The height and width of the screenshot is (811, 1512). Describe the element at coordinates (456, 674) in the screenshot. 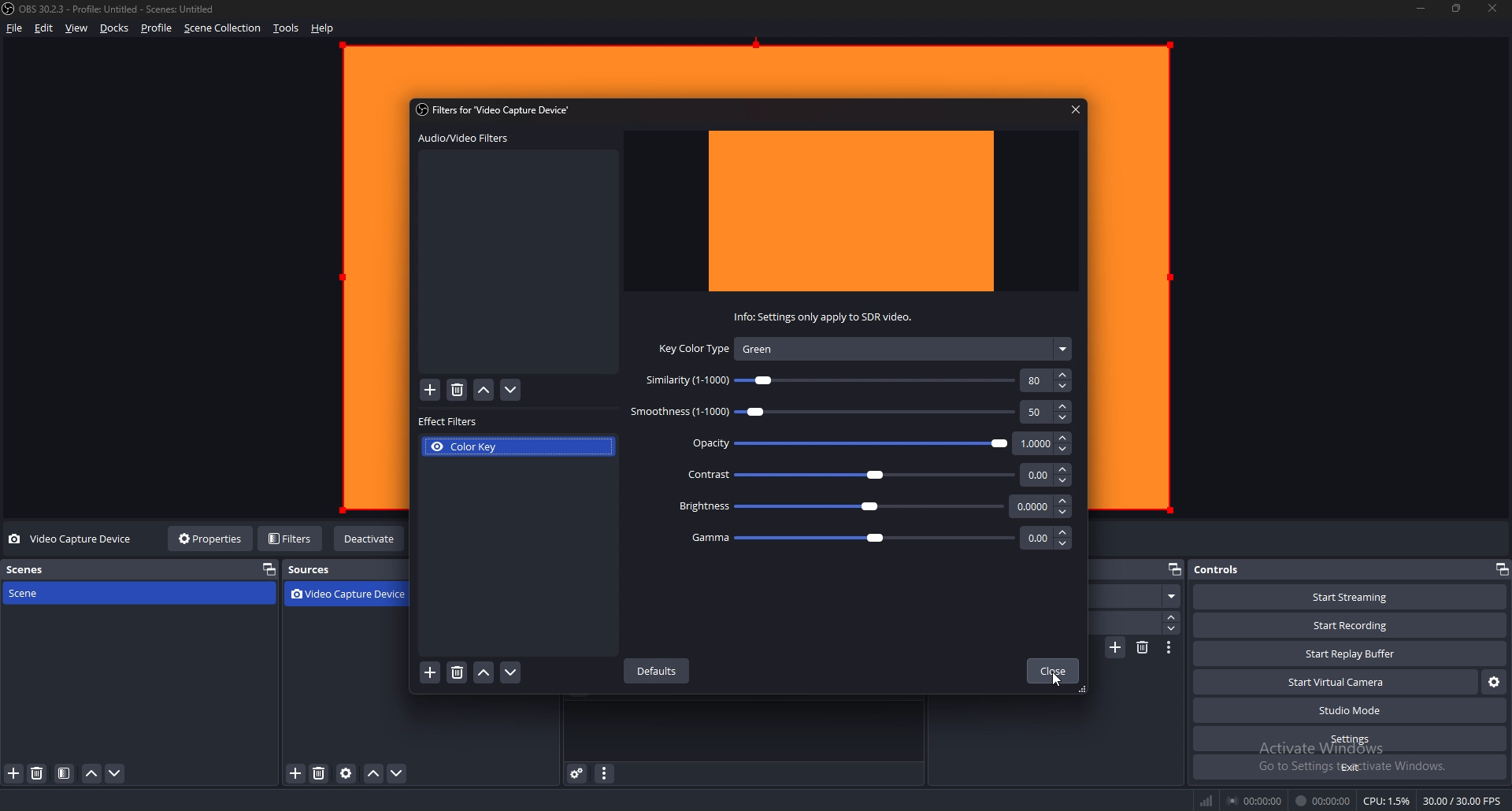

I see `remove filter` at that location.